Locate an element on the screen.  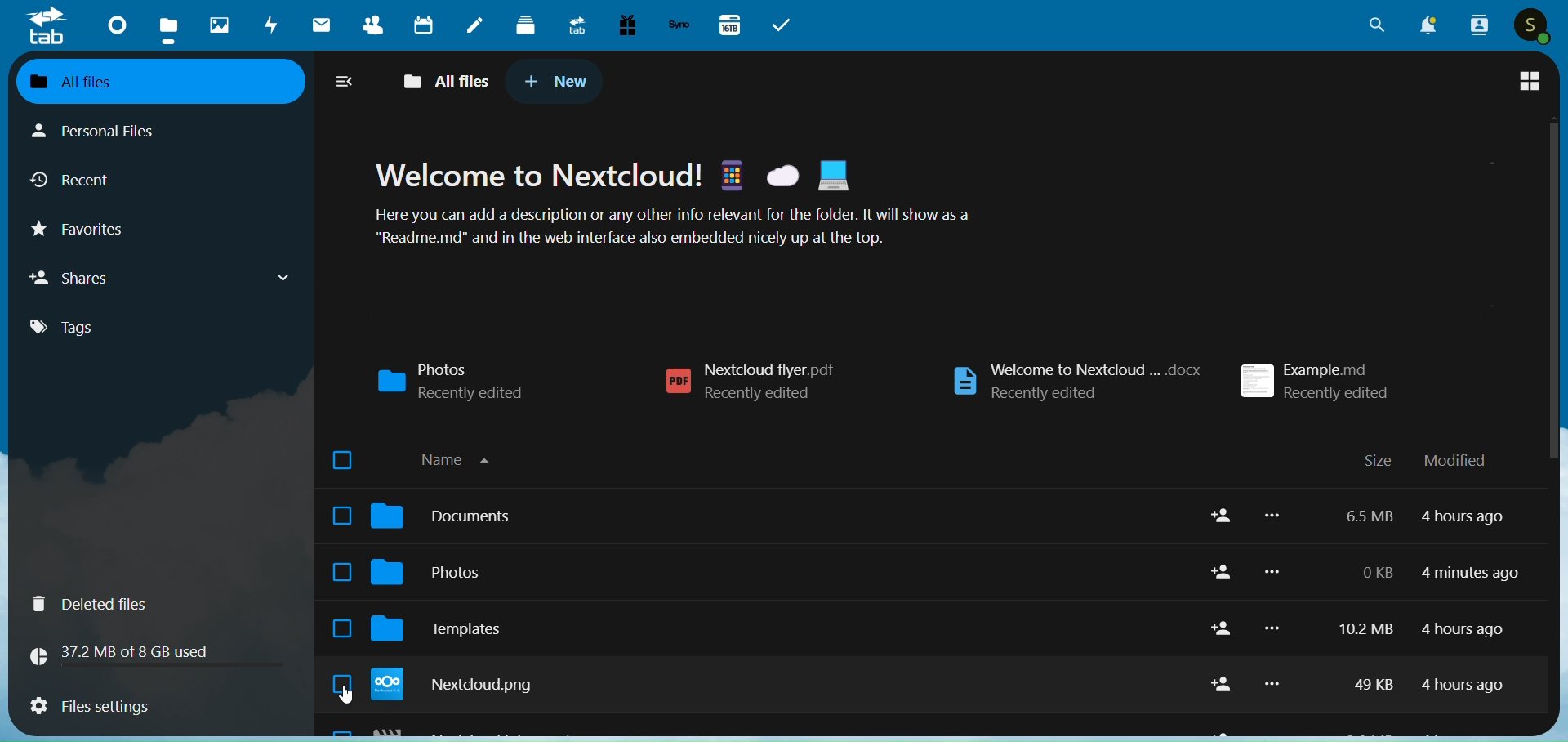
More is located at coordinates (1272, 571).